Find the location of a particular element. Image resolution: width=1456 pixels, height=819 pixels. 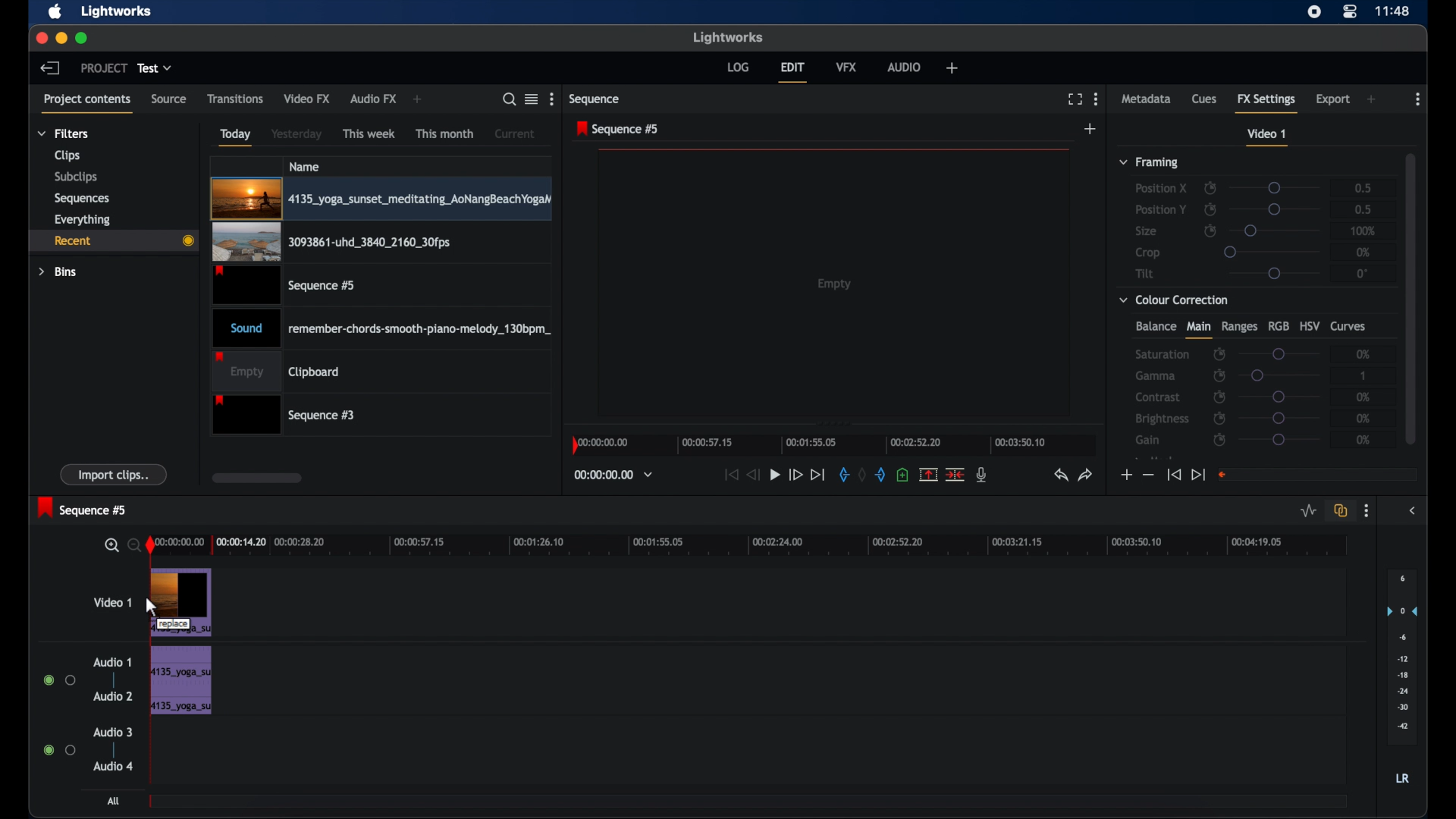

framing is located at coordinates (1150, 163).